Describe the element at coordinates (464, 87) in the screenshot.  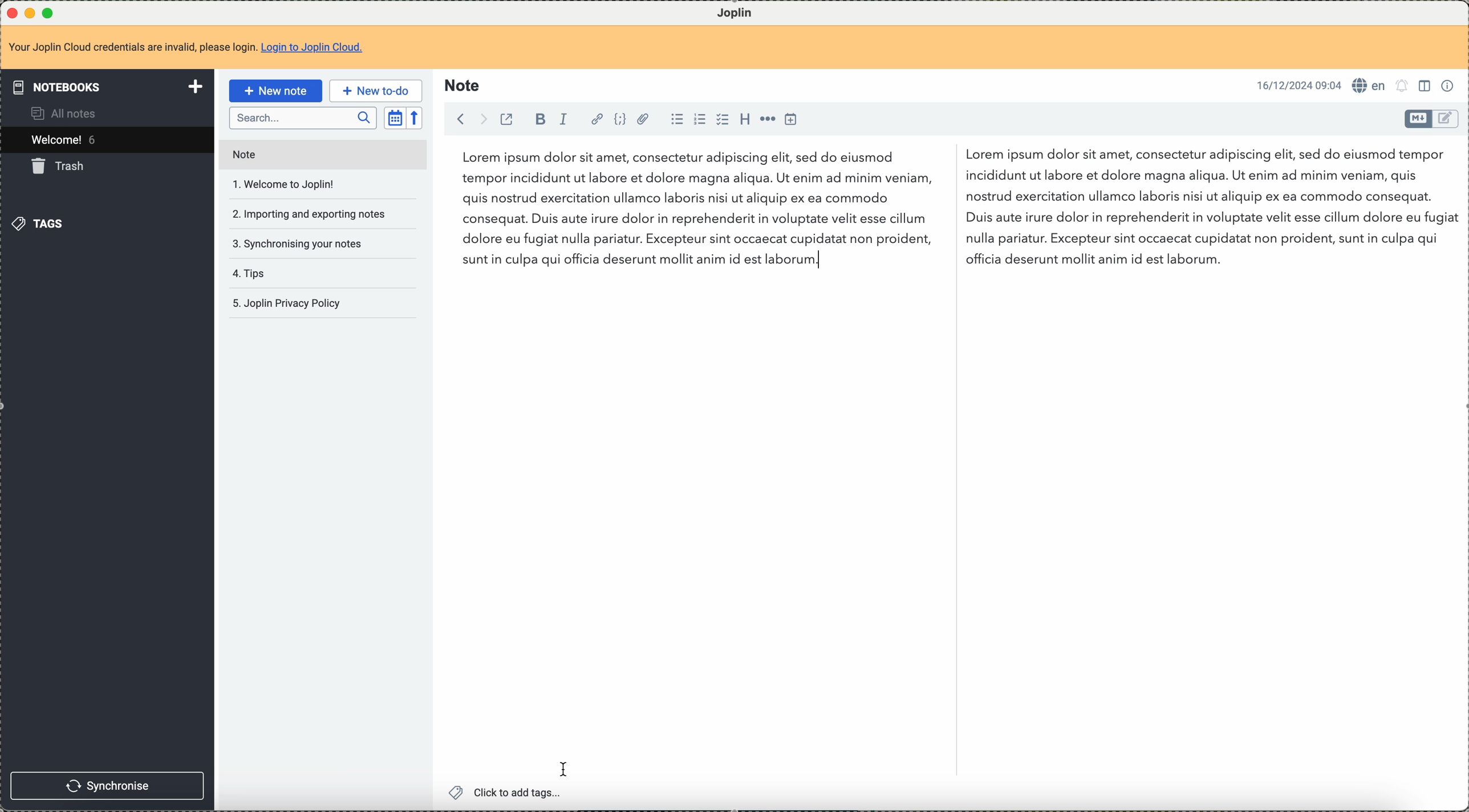
I see `note` at that location.